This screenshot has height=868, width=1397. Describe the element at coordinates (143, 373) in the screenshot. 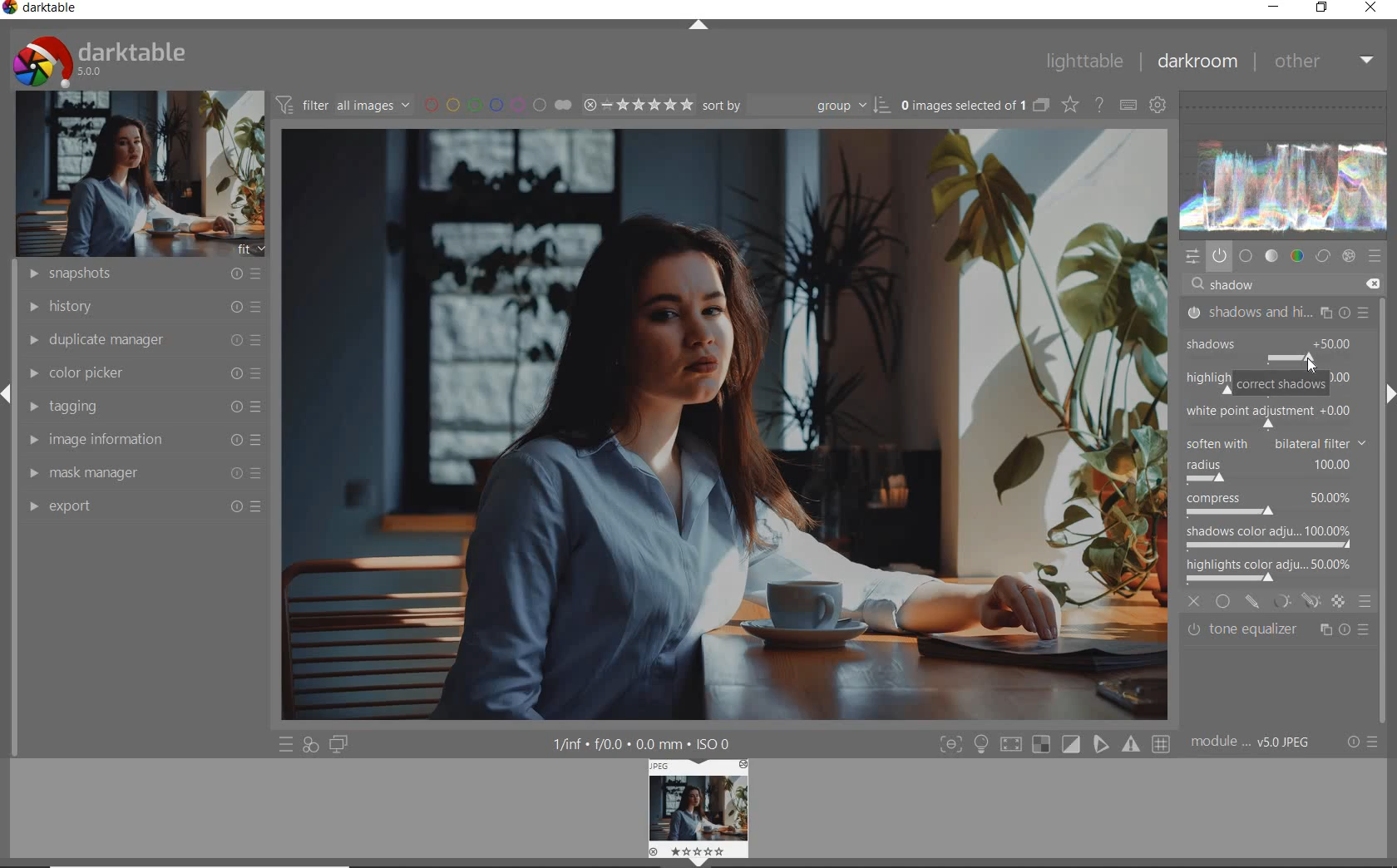

I see `color picker` at that location.